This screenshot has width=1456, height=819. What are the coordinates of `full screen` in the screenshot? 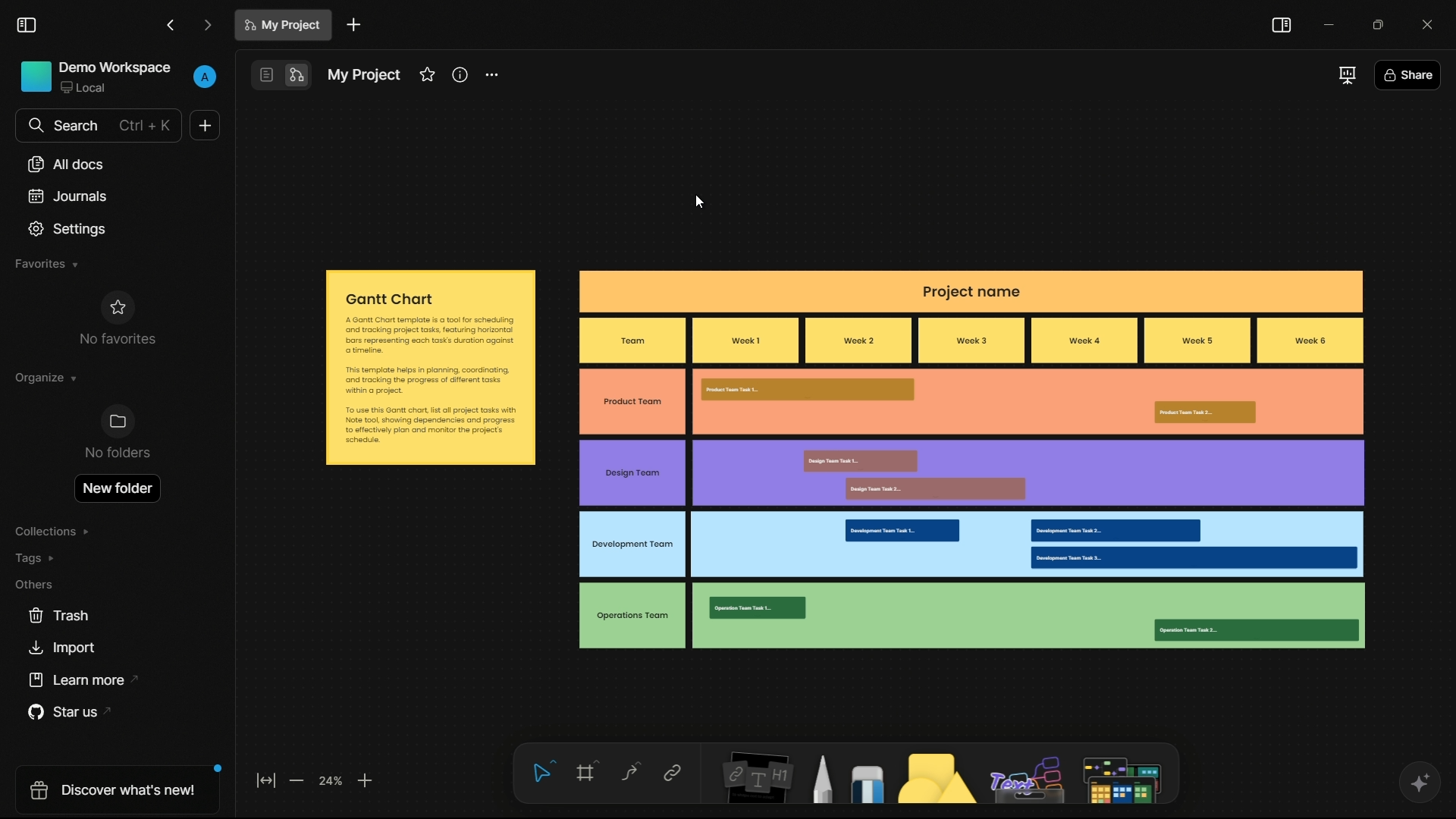 It's located at (1345, 75).